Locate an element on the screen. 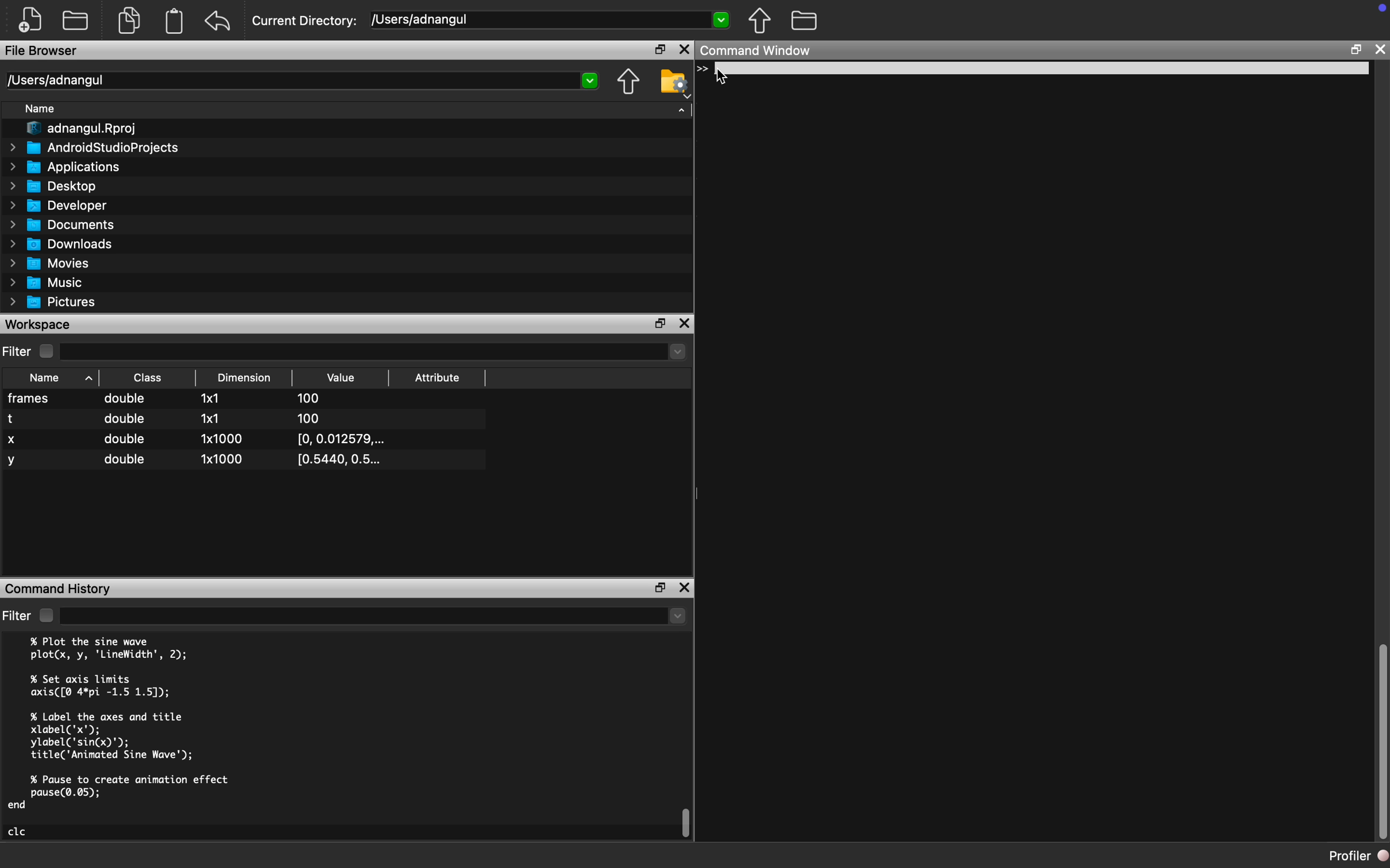 The image size is (1390, 868). Name is located at coordinates (41, 108).